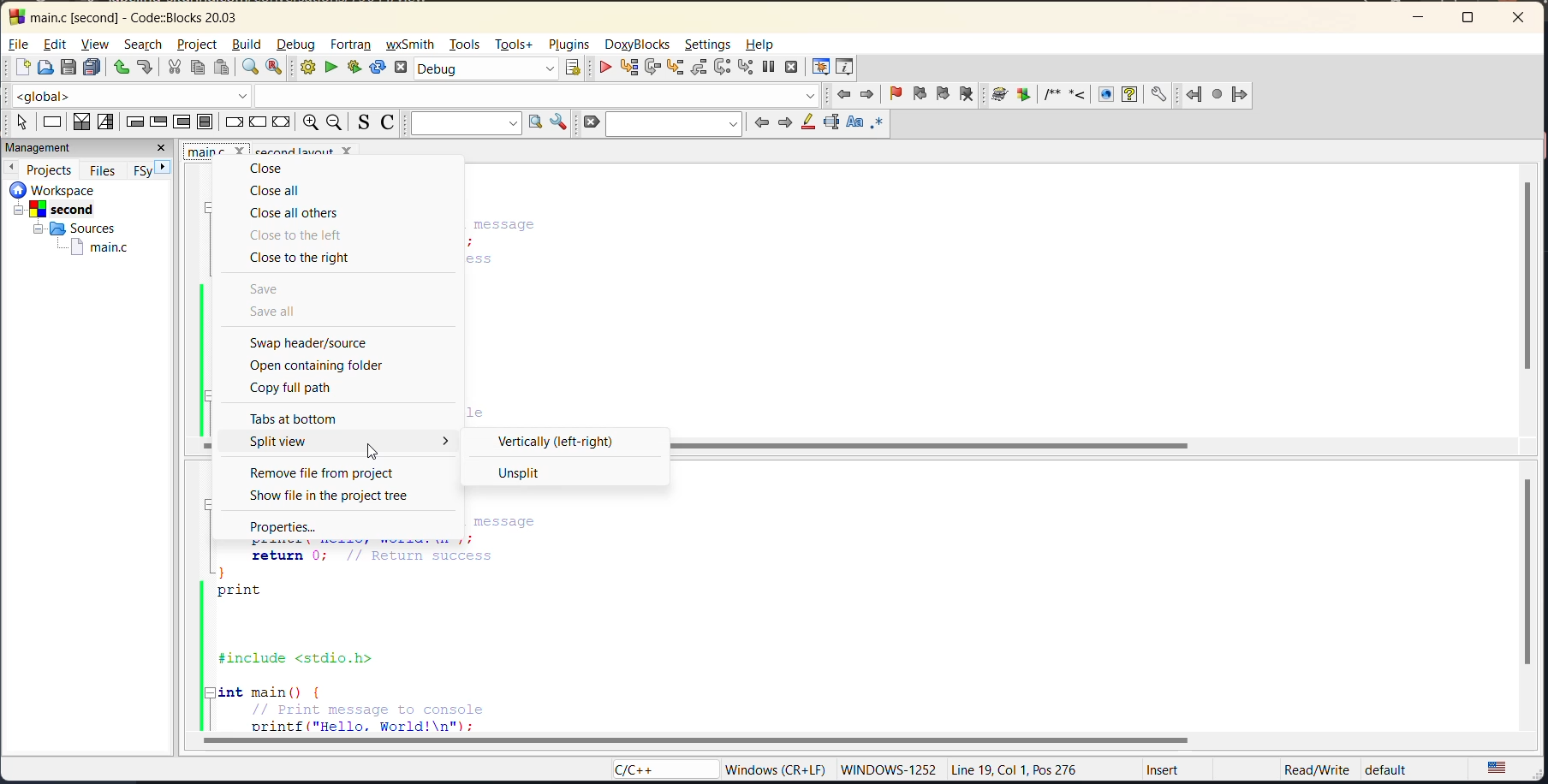  I want to click on remove file from project, so click(330, 473).